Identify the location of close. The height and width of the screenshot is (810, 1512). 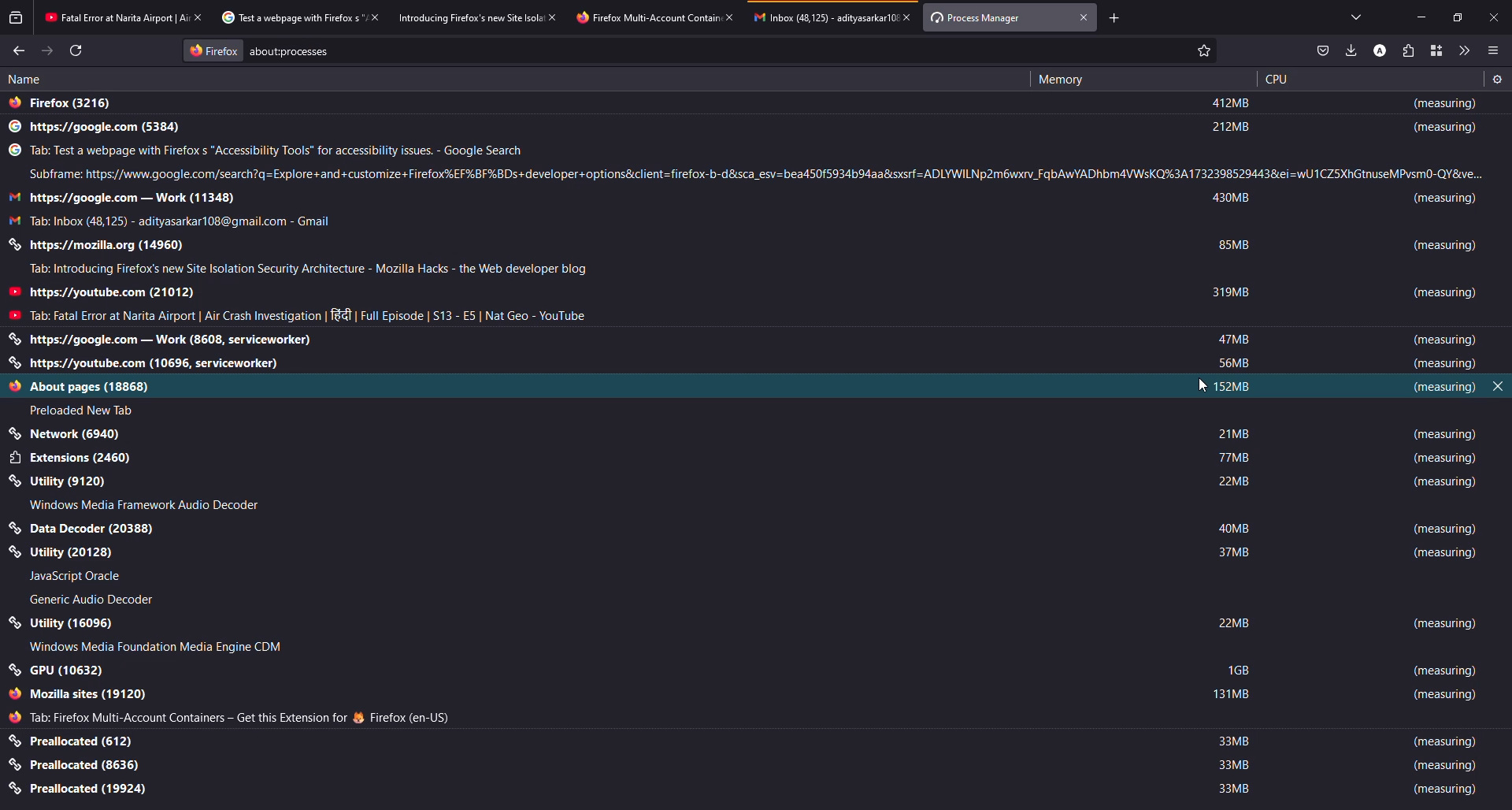
(731, 16).